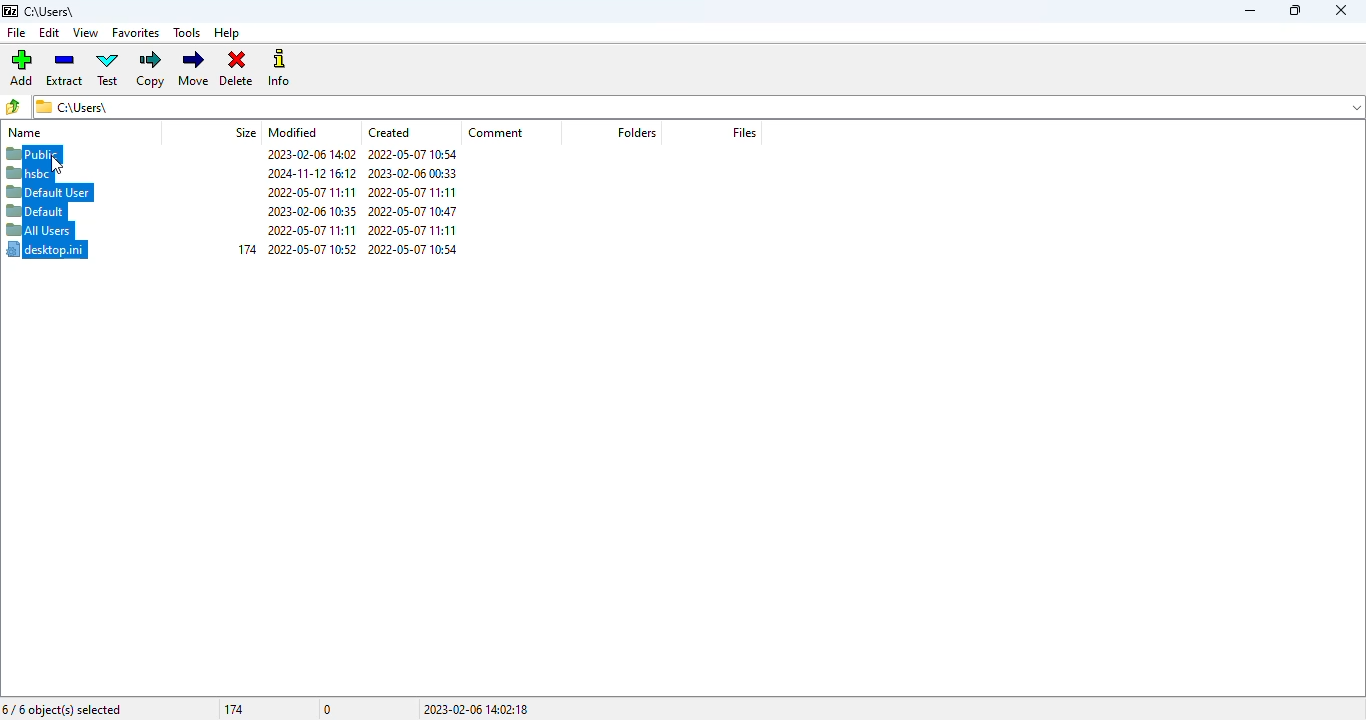  I want to click on 2023-02-06 14:02, so click(306, 154).